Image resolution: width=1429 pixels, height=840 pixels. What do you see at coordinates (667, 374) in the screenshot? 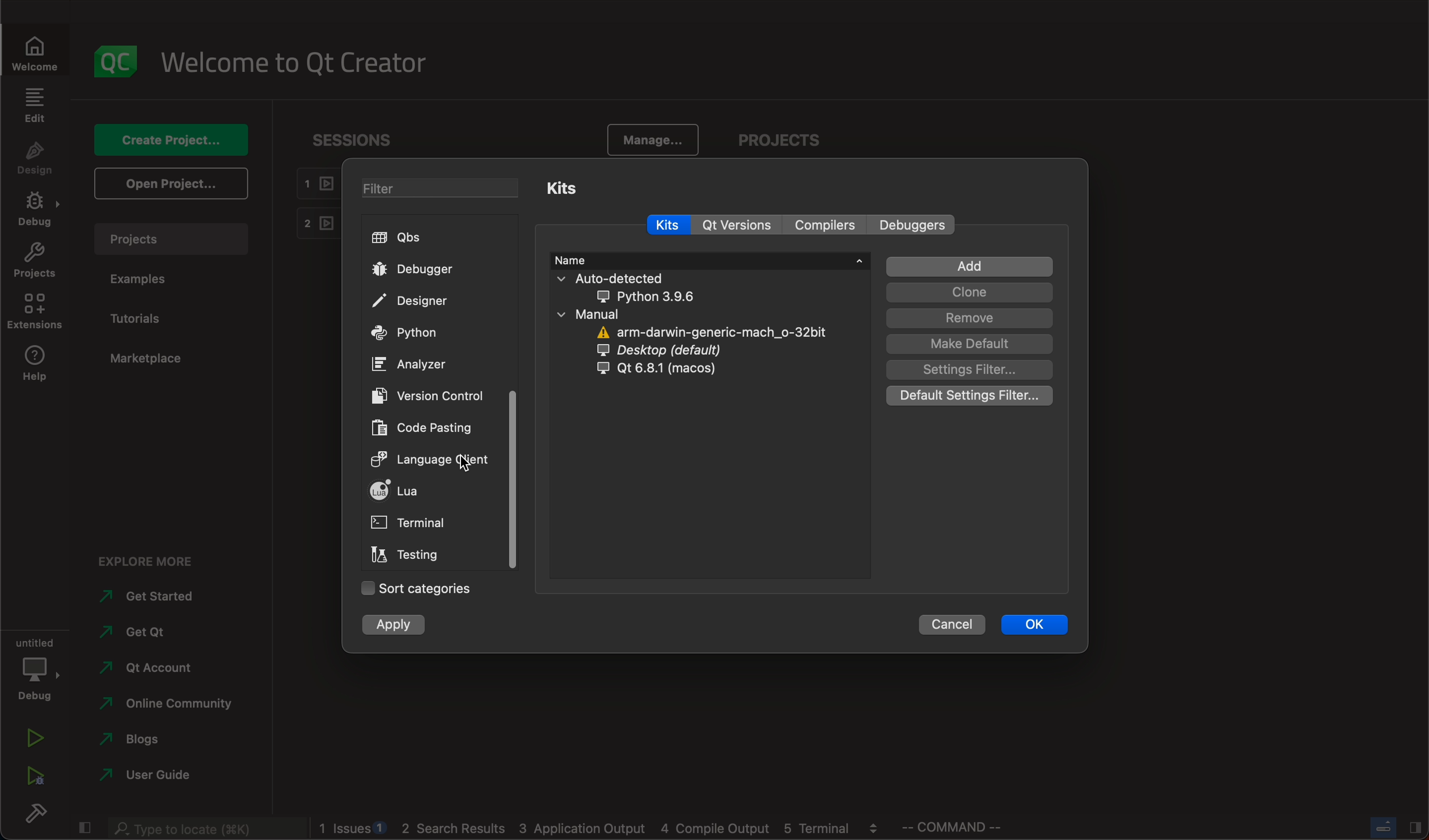
I see `qt` at bounding box center [667, 374].